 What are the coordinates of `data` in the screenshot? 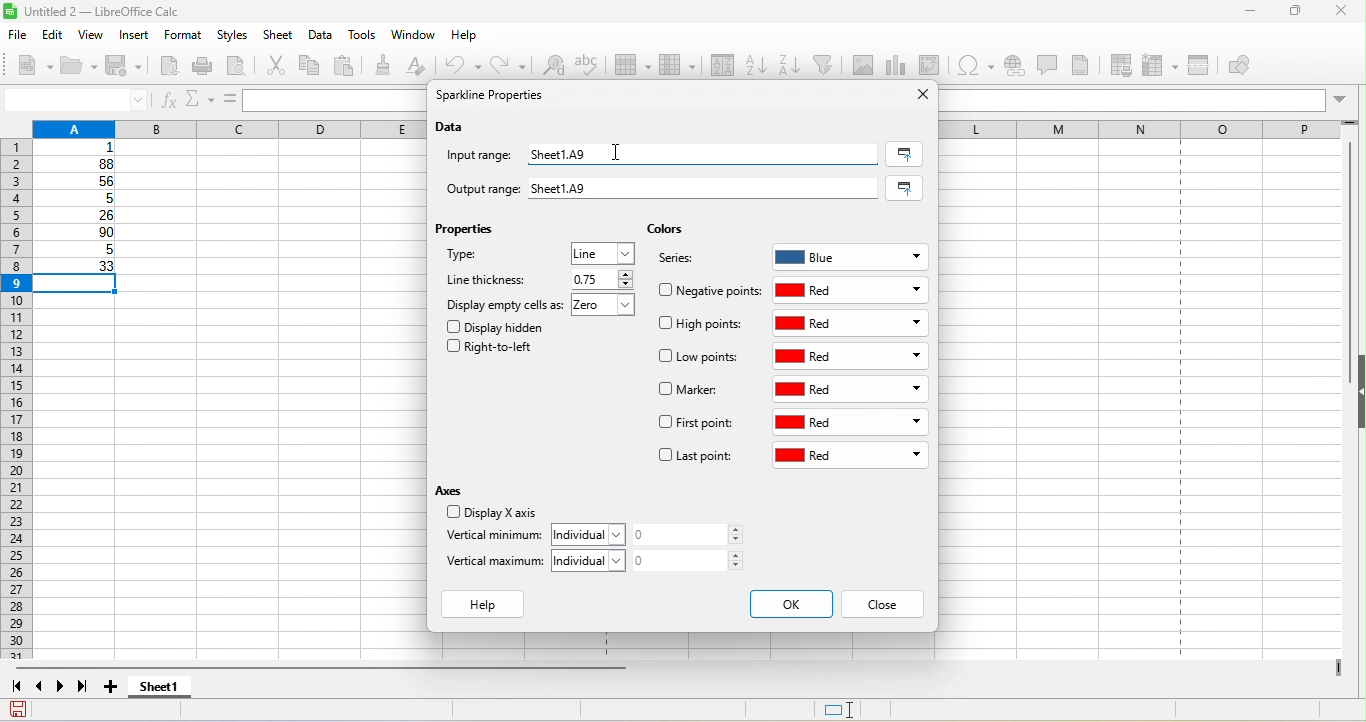 It's located at (322, 36).